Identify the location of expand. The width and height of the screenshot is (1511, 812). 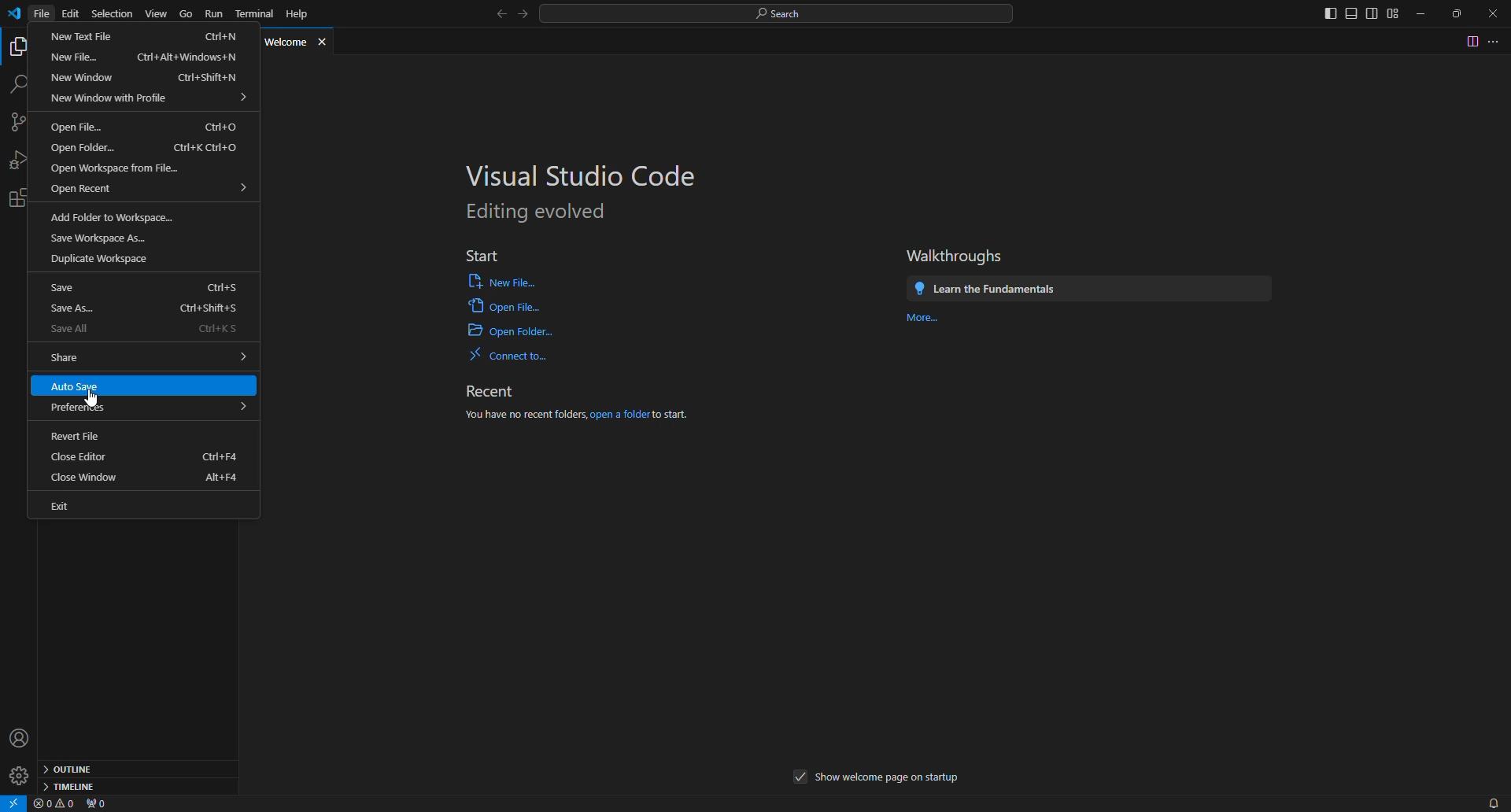
(245, 357).